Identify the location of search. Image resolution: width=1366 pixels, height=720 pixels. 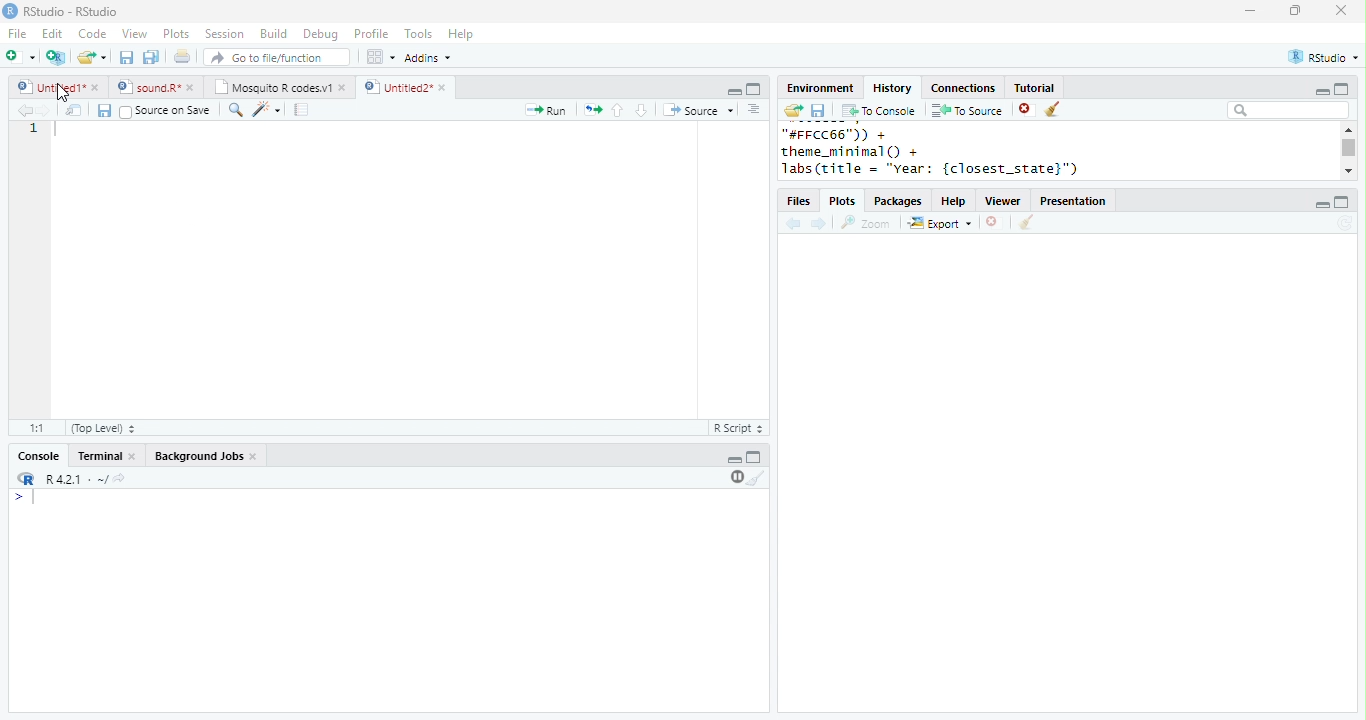
(233, 110).